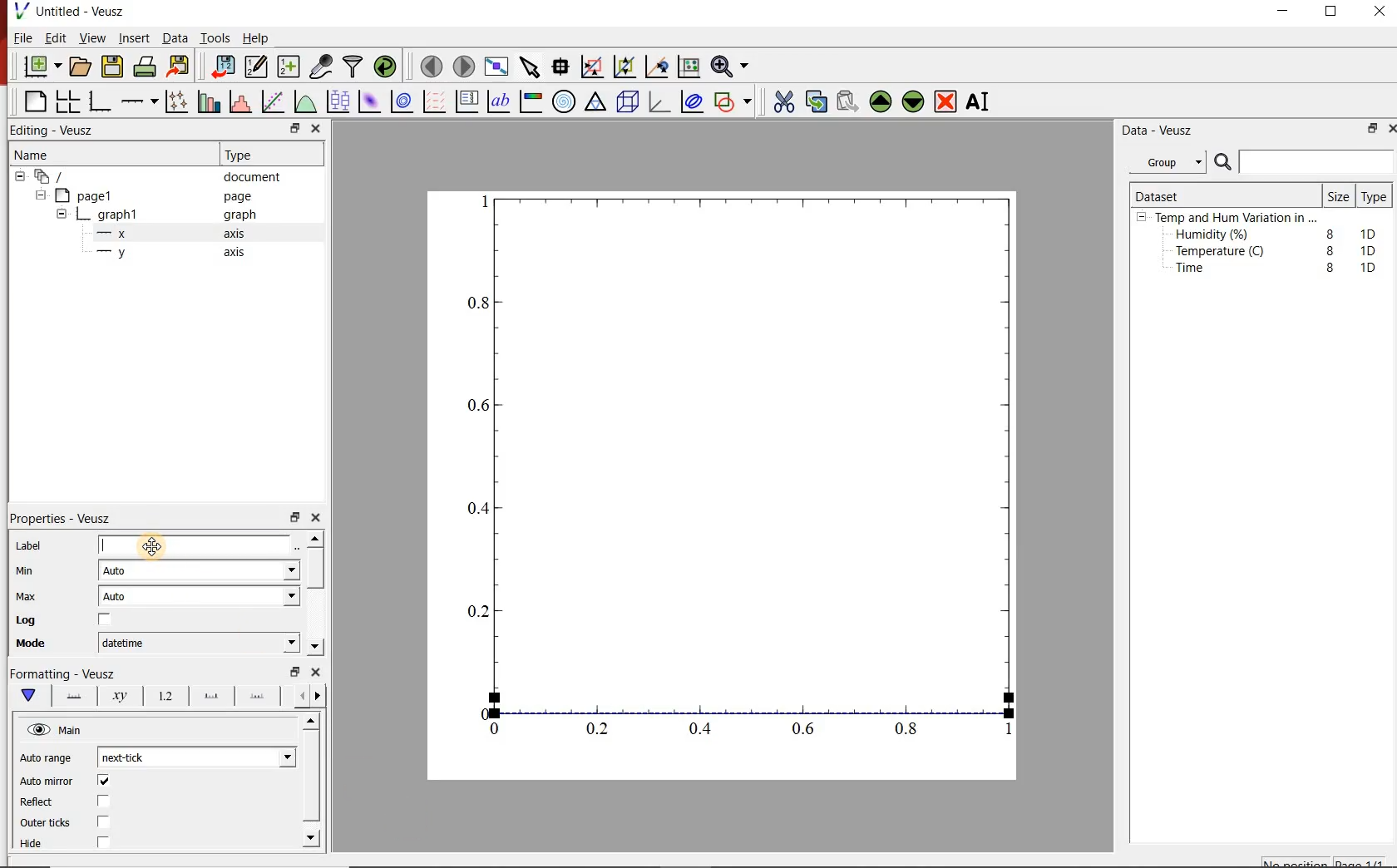  I want to click on 8, so click(1327, 231).